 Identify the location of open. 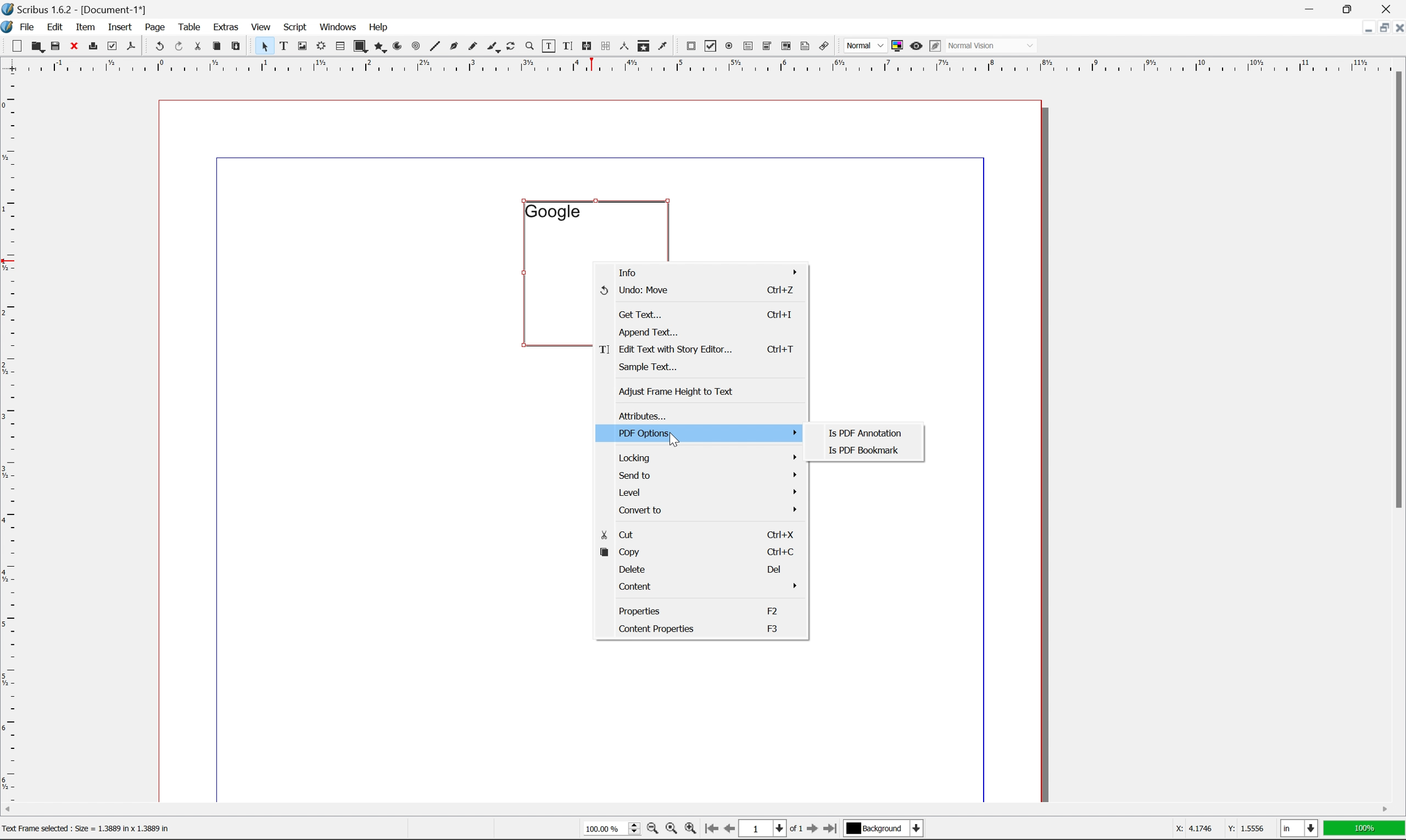
(36, 47).